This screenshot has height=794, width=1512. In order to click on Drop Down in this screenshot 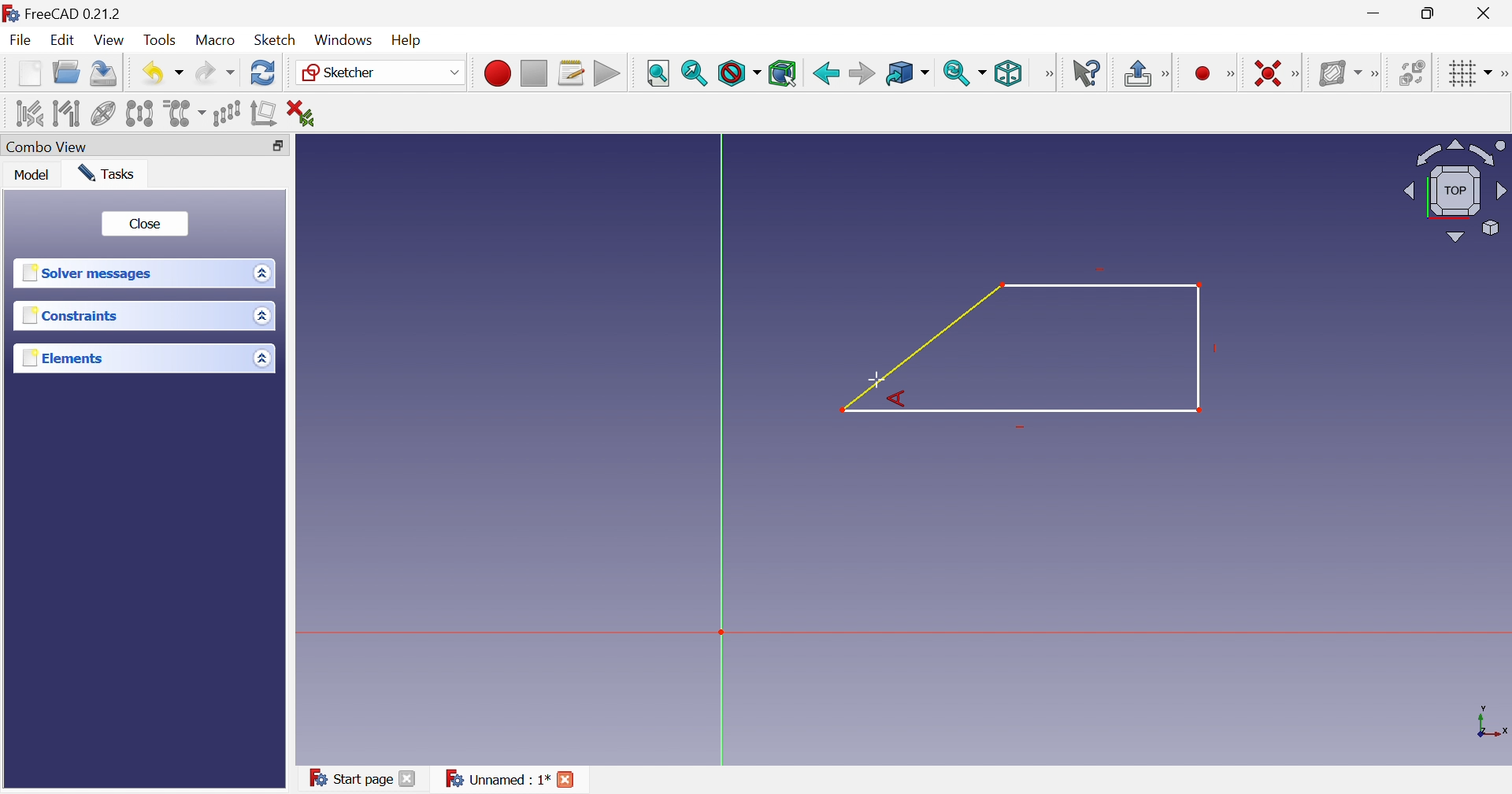, I will do `click(1489, 70)`.